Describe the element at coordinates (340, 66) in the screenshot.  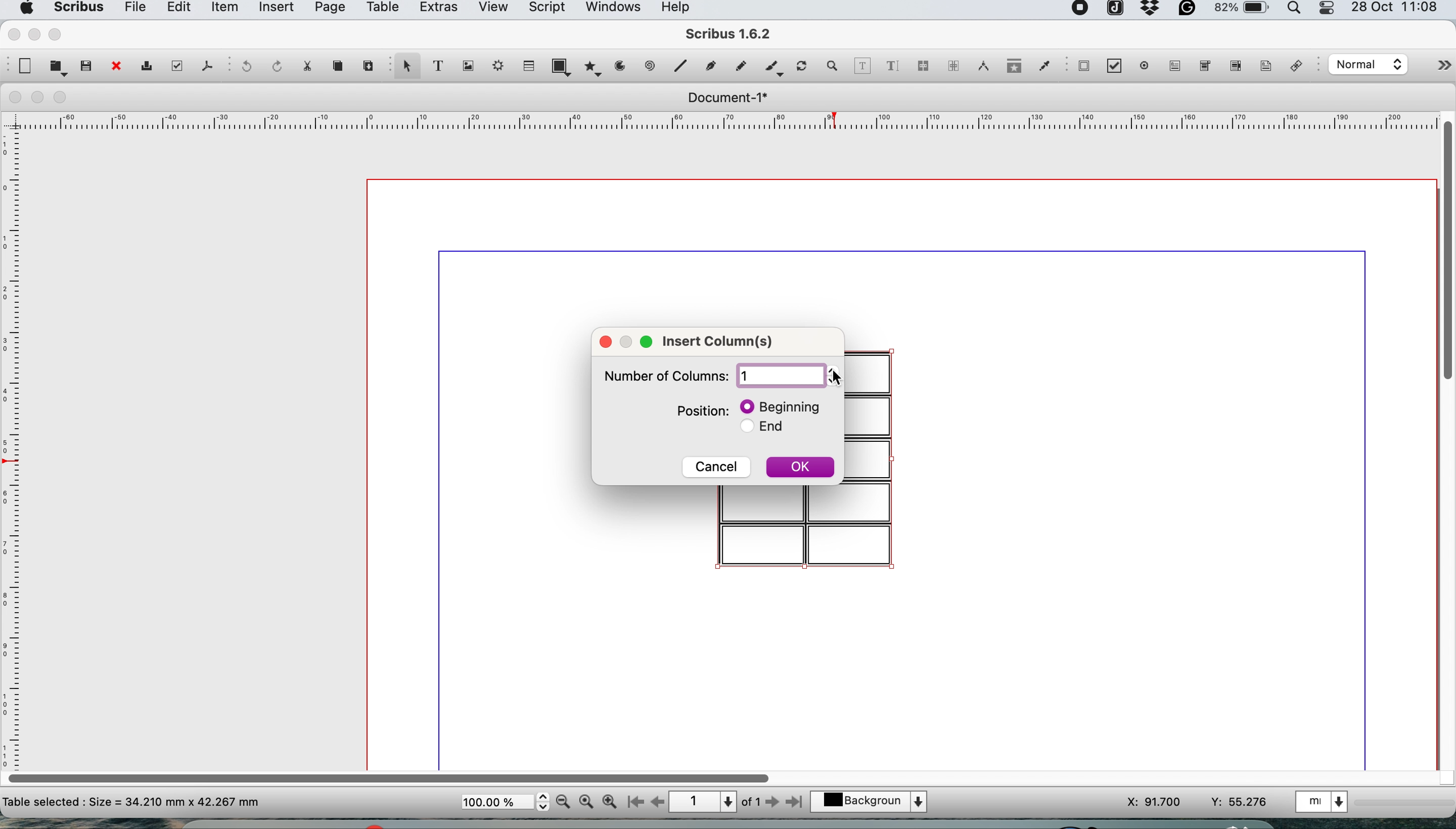
I see `copy` at that location.